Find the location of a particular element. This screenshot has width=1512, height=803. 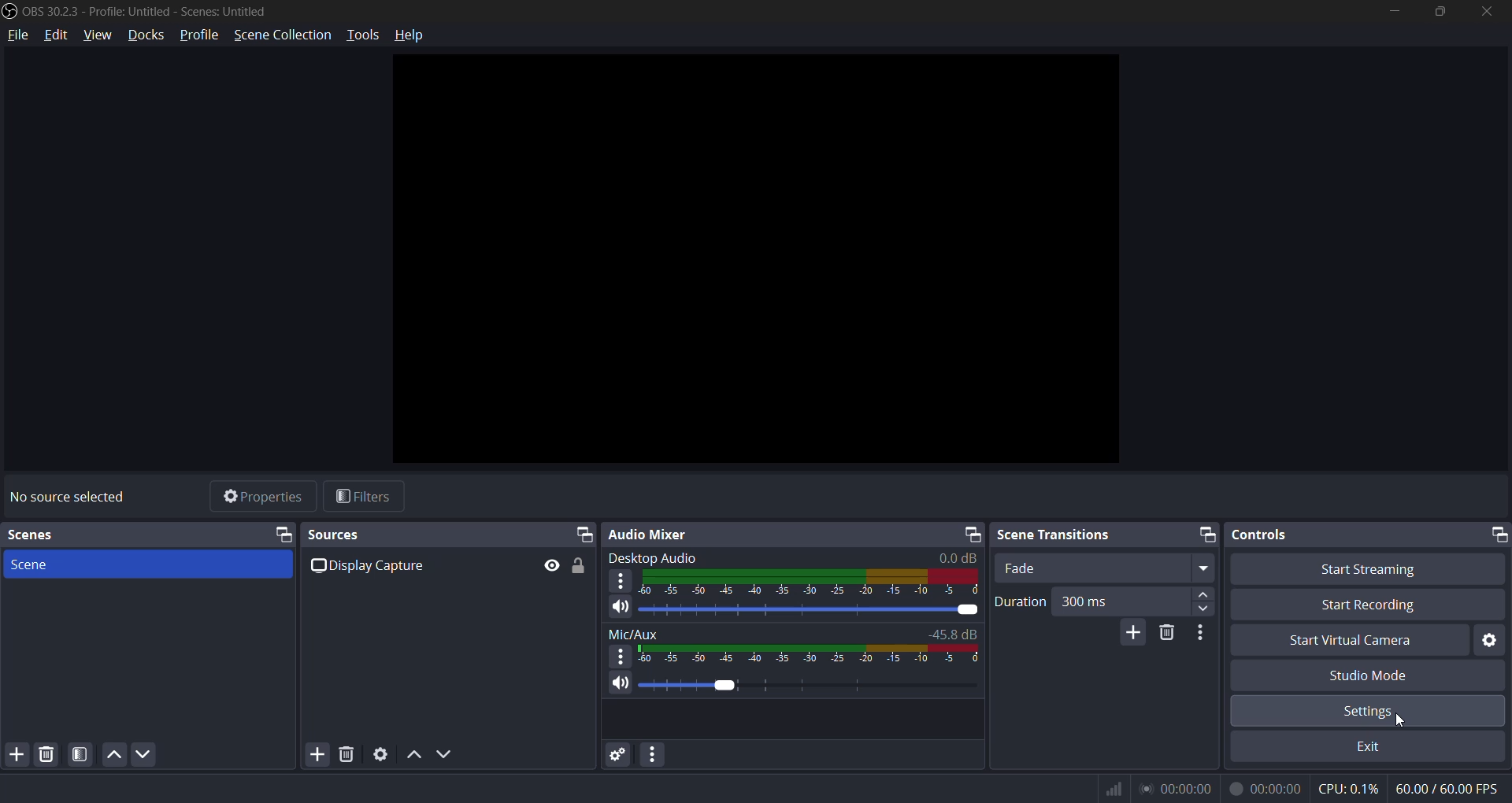

settings is located at coordinates (1368, 711).